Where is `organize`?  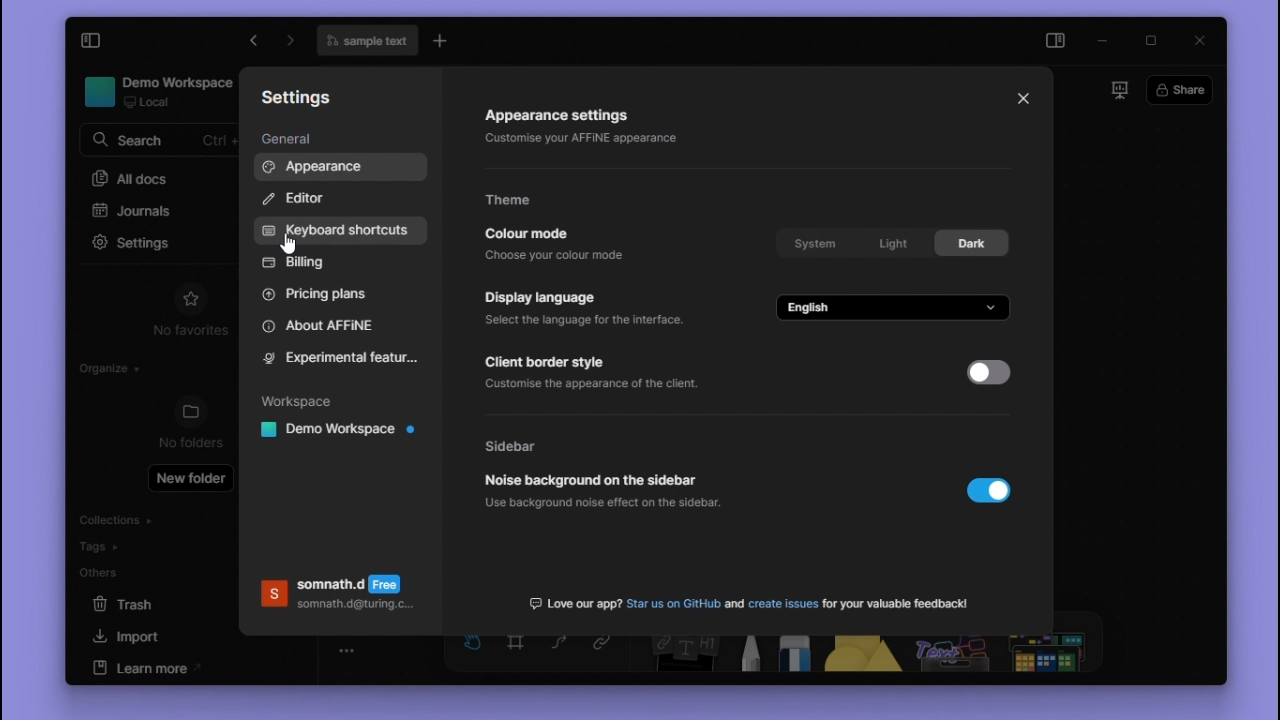
organize is located at coordinates (102, 365).